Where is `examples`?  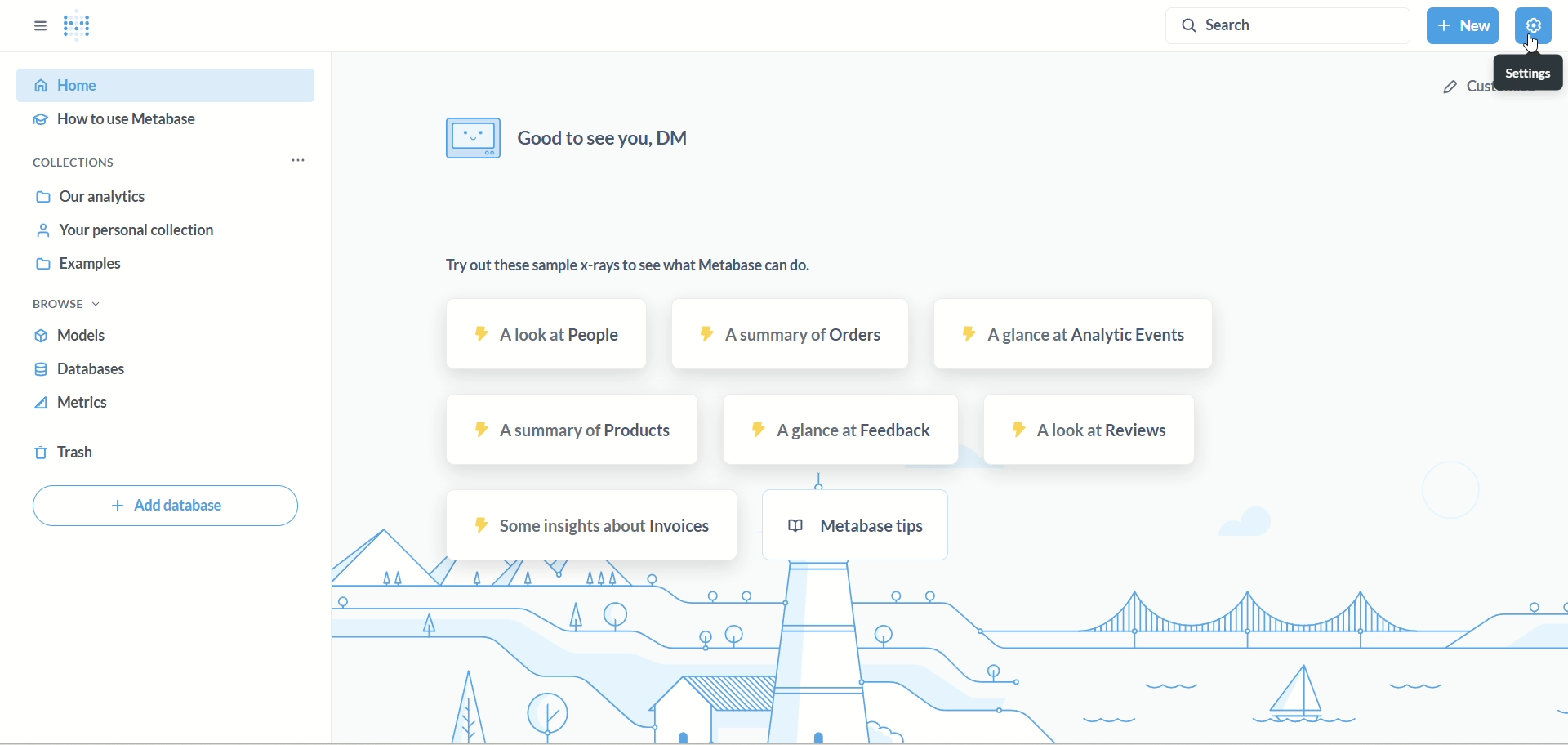 examples is located at coordinates (76, 265).